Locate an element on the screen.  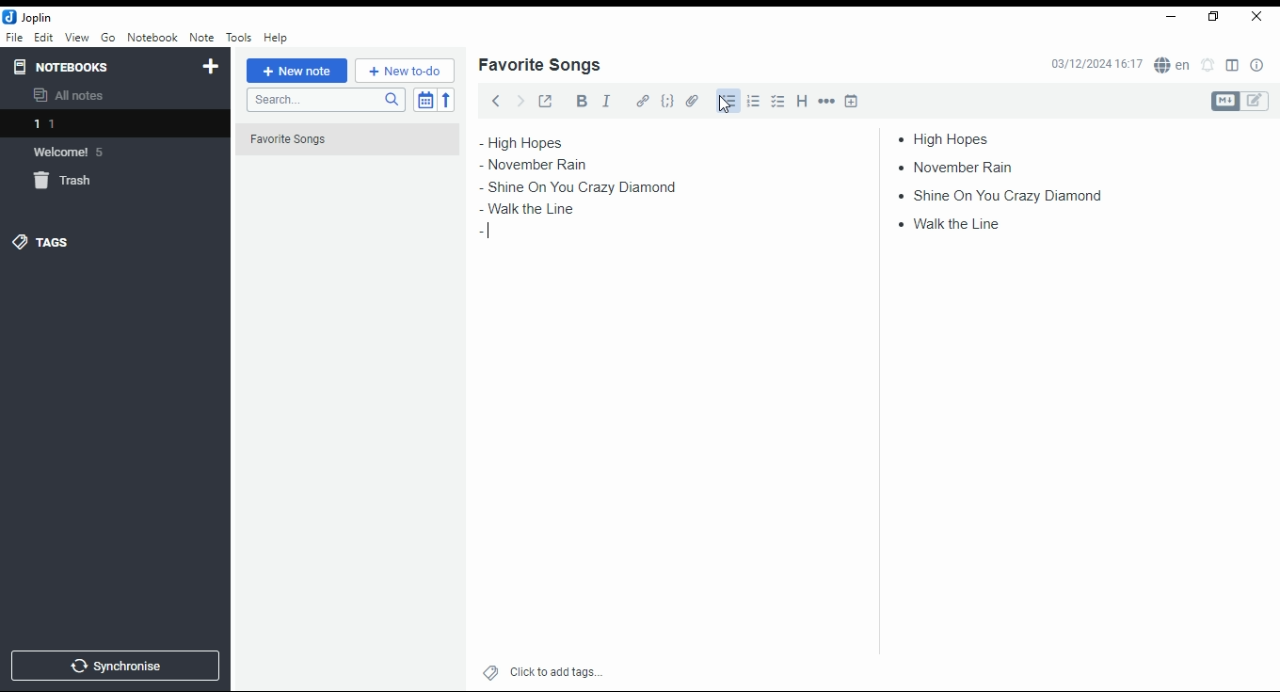
spell checker is located at coordinates (1174, 64).